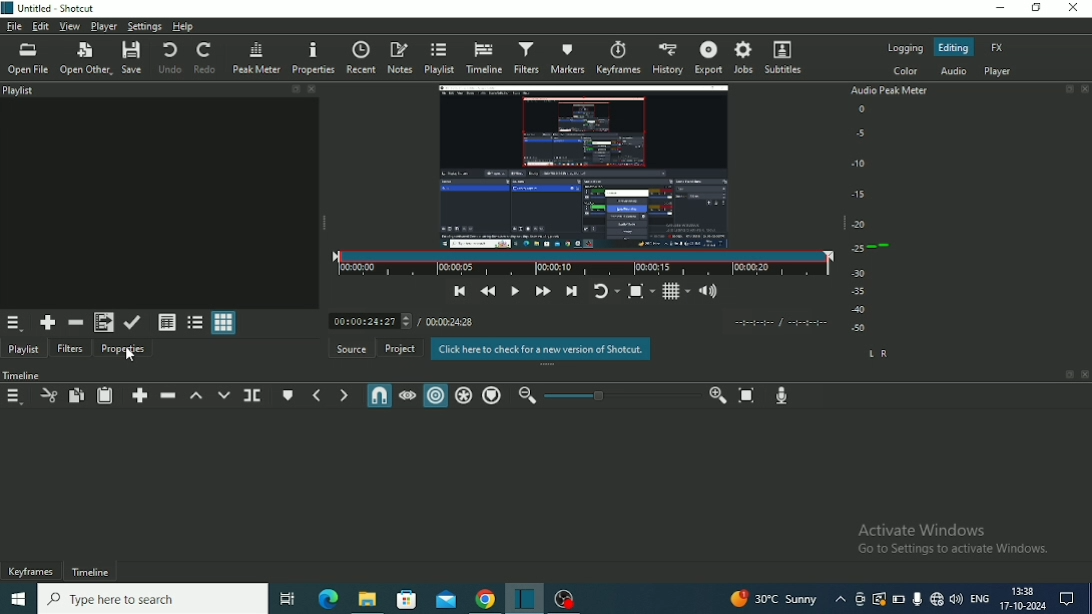 This screenshot has width=1092, height=614. What do you see at coordinates (904, 49) in the screenshot?
I see `Logging` at bounding box center [904, 49].